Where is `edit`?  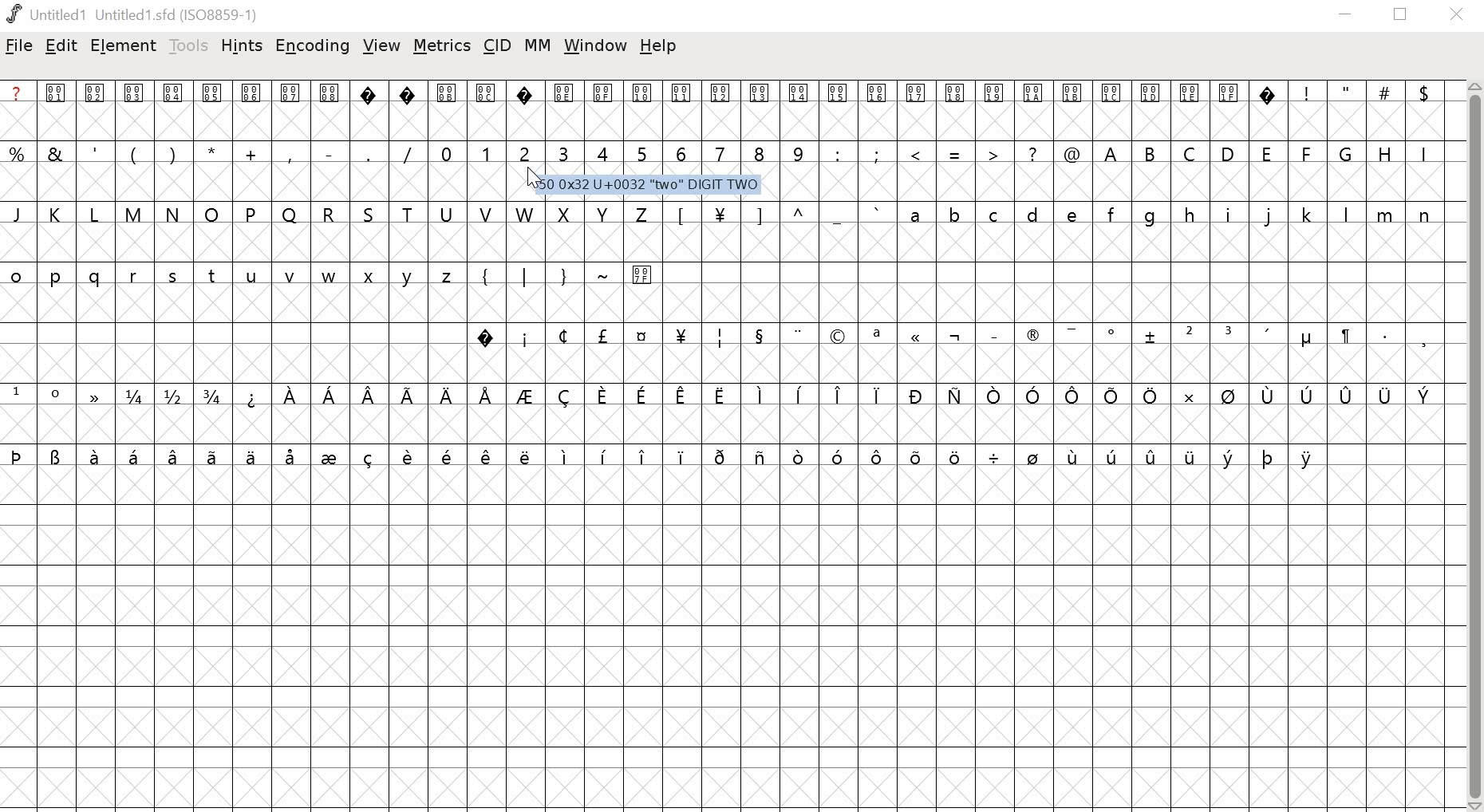 edit is located at coordinates (62, 49).